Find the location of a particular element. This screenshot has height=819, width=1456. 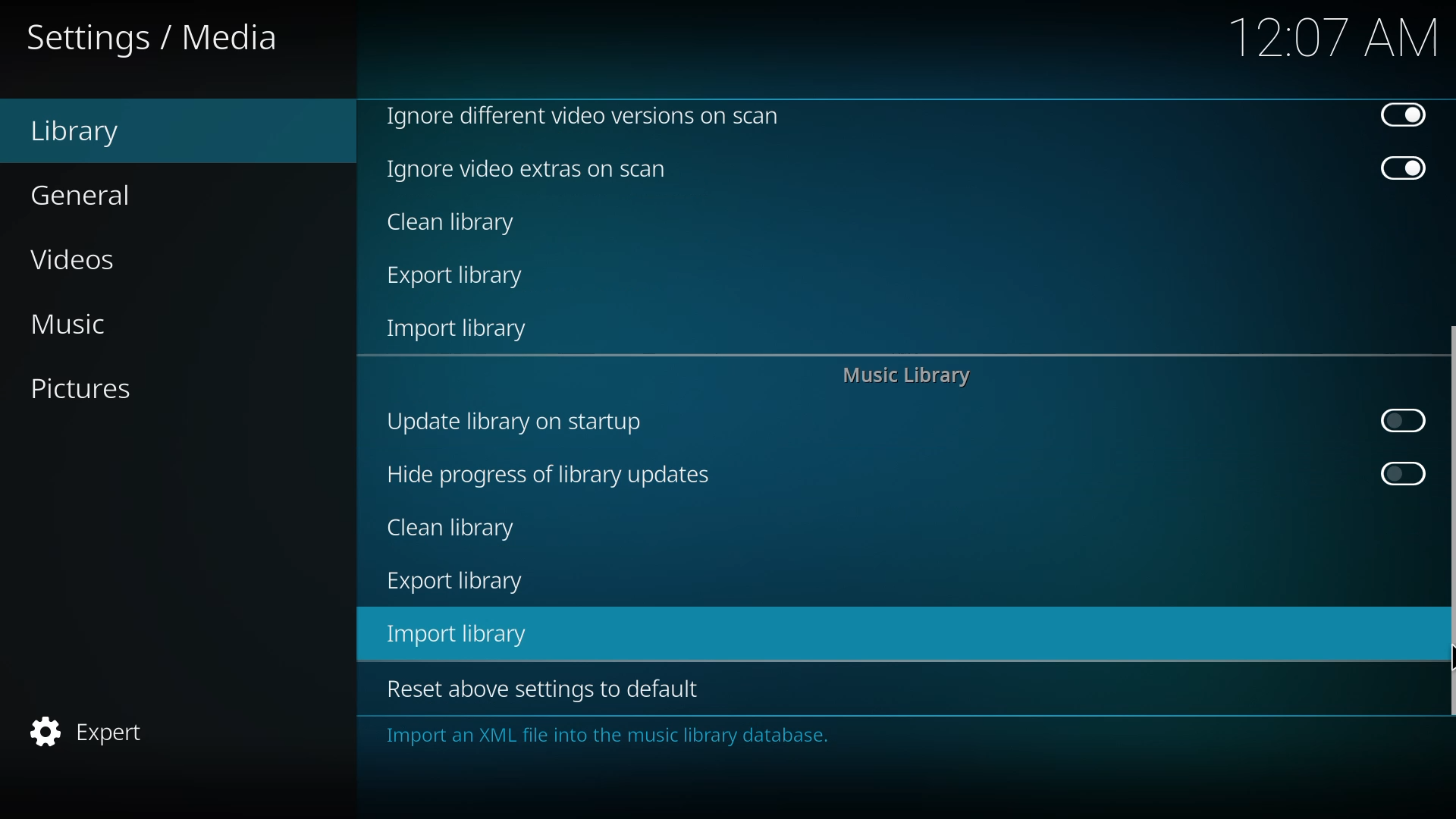

reset above settings is located at coordinates (538, 687).